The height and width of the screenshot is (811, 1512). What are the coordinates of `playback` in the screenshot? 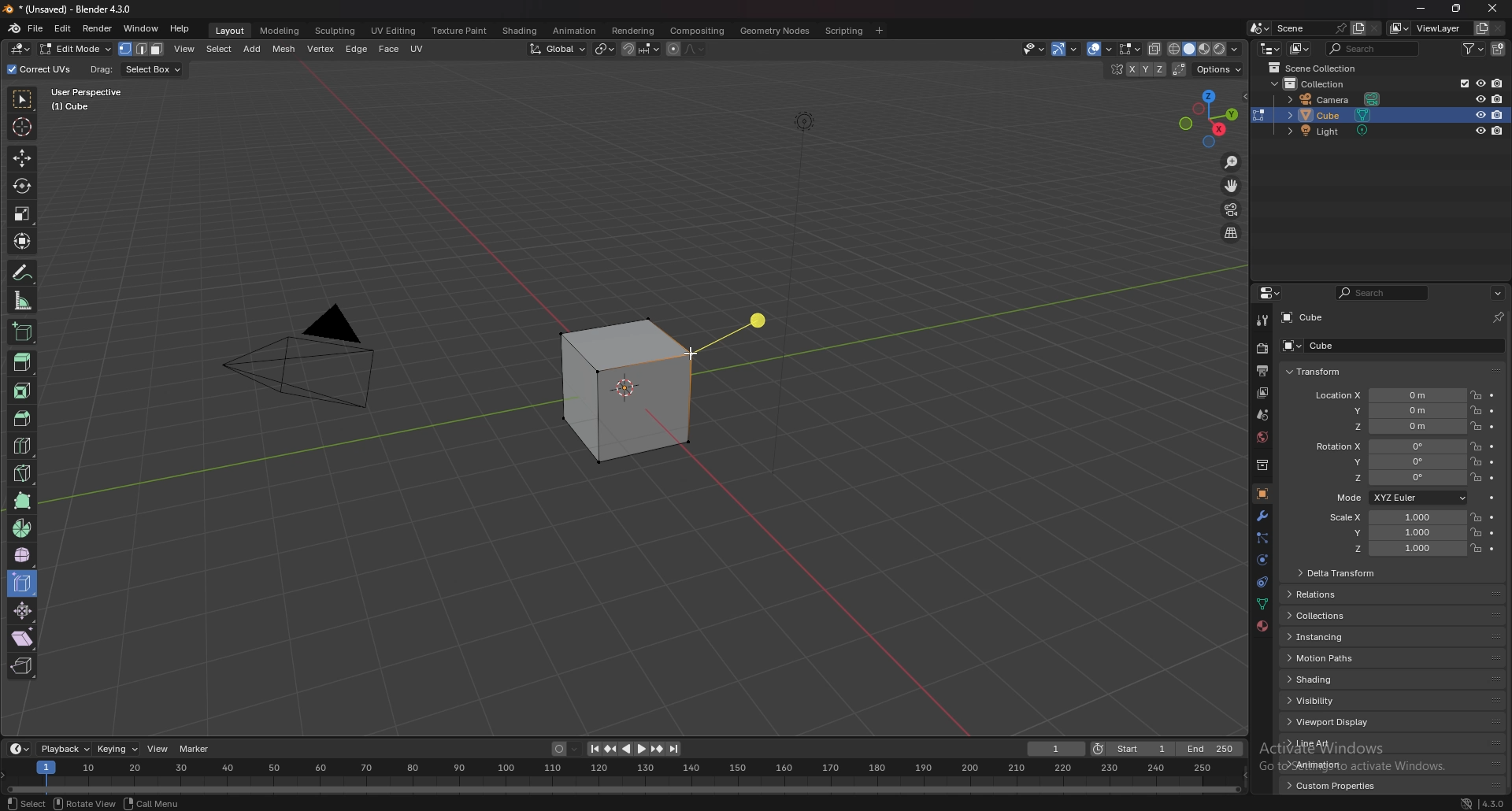 It's located at (66, 749).